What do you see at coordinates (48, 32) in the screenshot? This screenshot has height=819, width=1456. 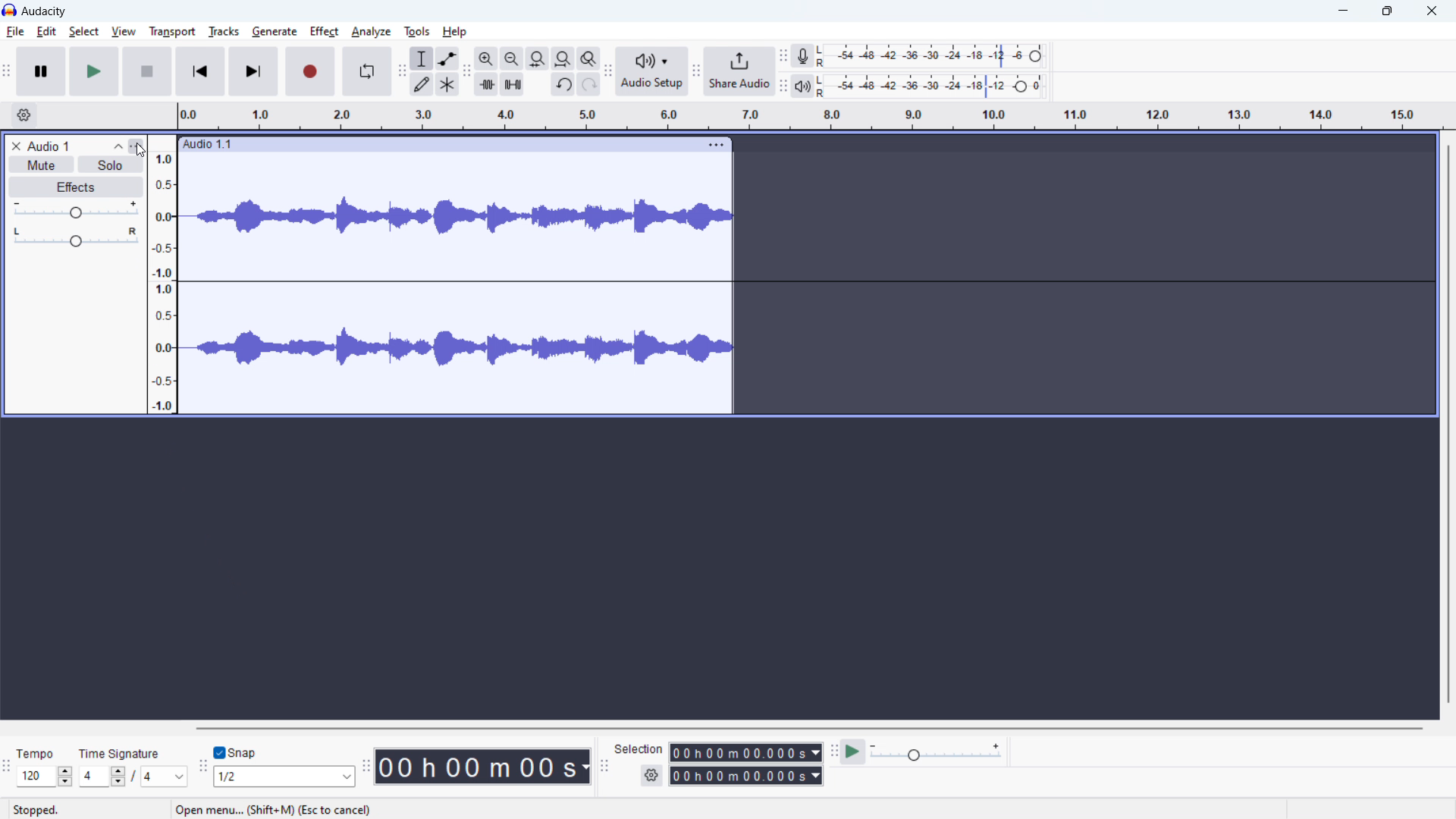 I see `edit` at bounding box center [48, 32].